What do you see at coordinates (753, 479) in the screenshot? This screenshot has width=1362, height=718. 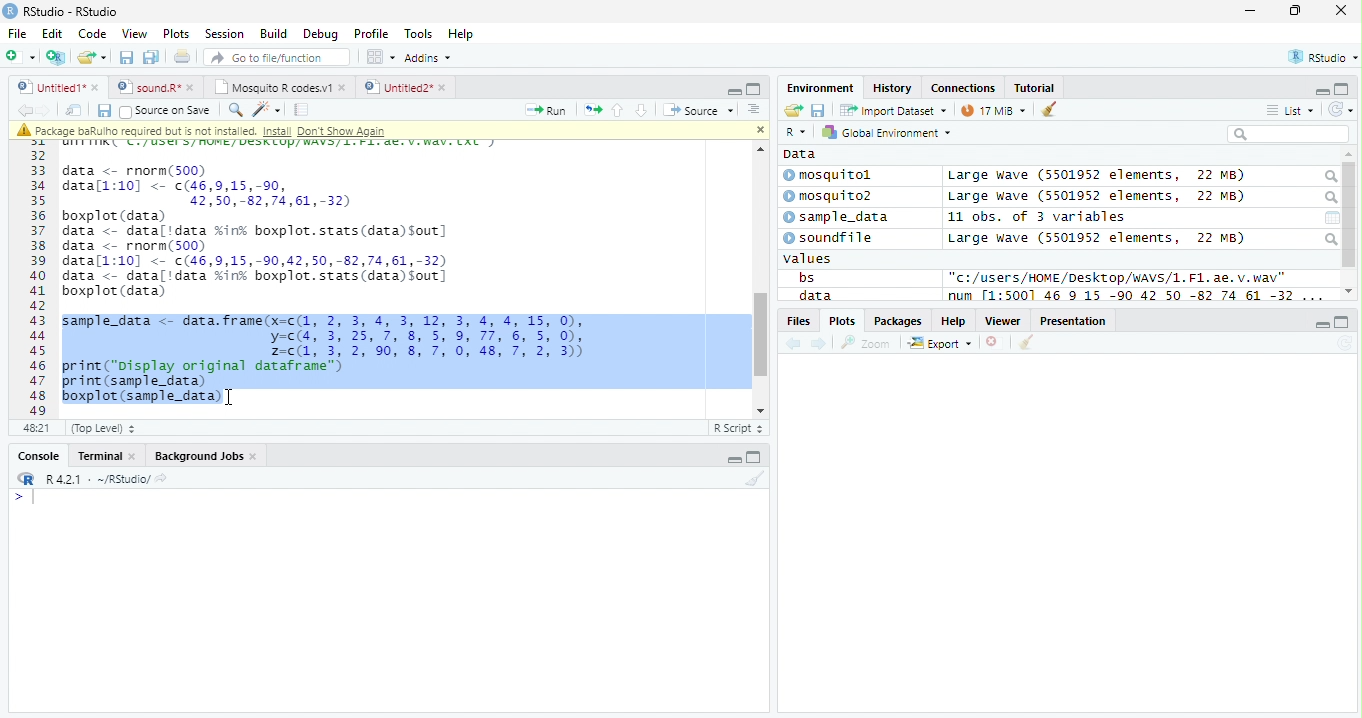 I see `clear workspace` at bounding box center [753, 479].